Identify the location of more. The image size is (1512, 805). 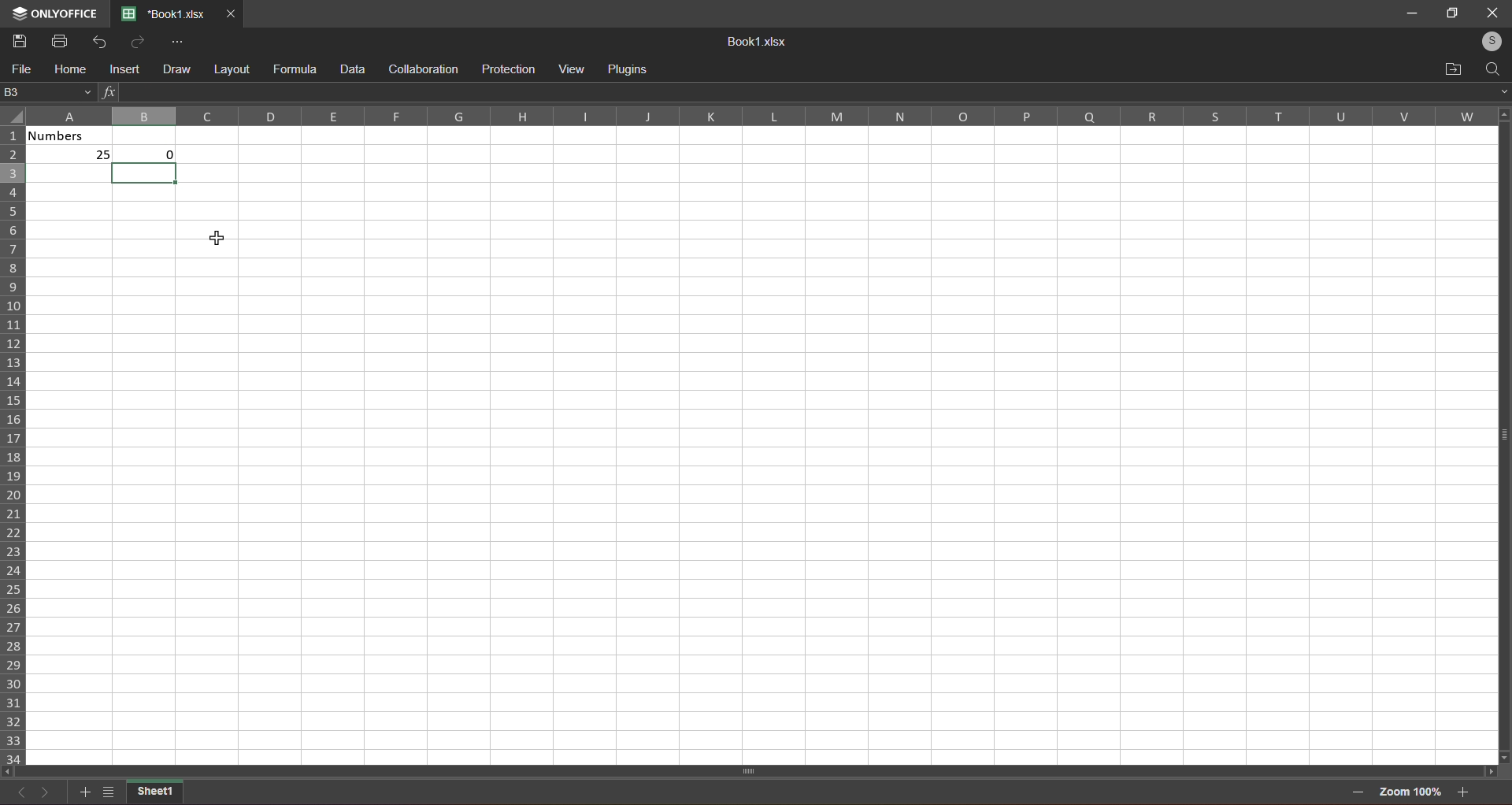
(176, 42).